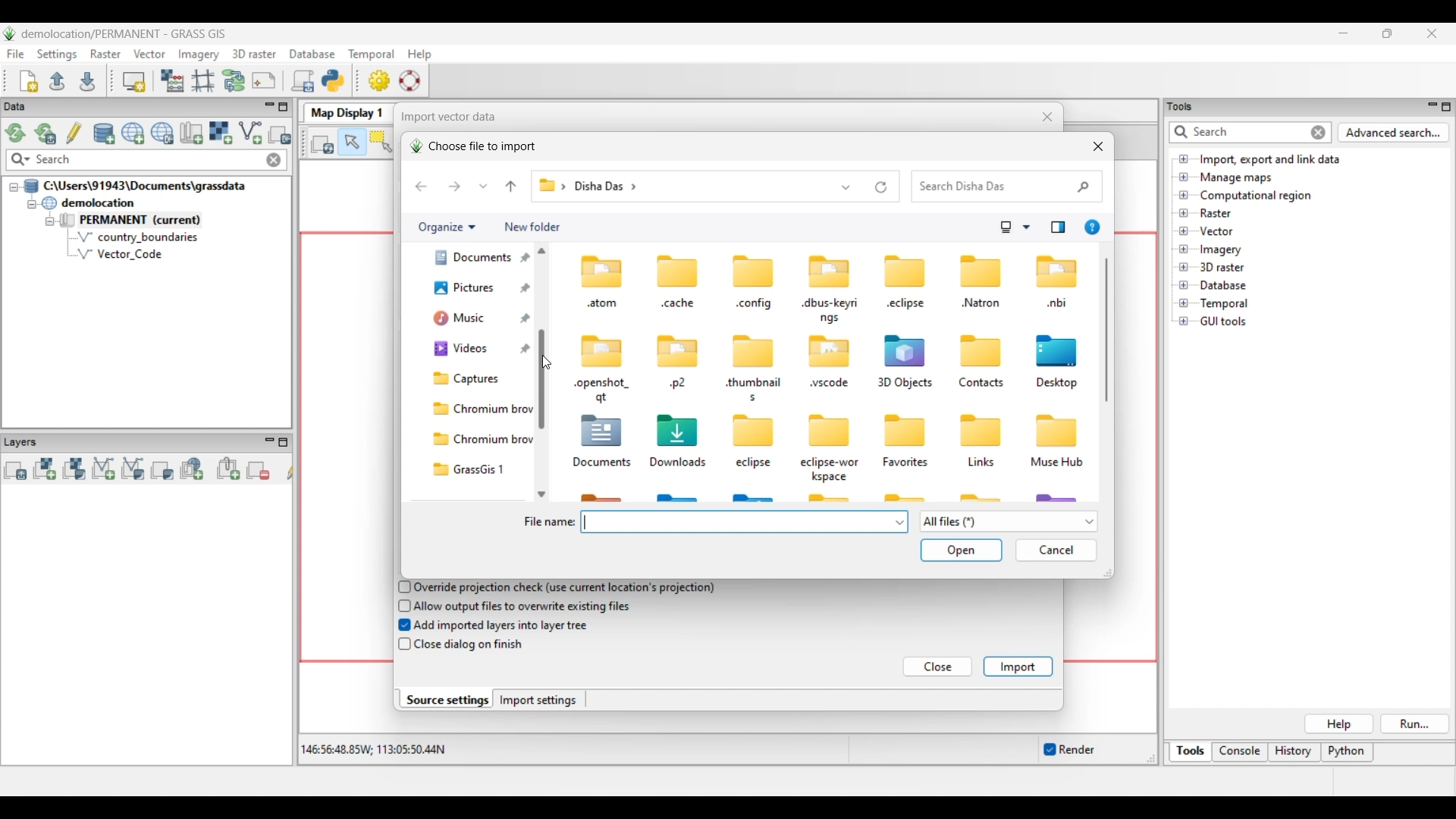 The width and height of the screenshot is (1456, 819). Describe the element at coordinates (134, 82) in the screenshot. I see `Start new map display` at that location.